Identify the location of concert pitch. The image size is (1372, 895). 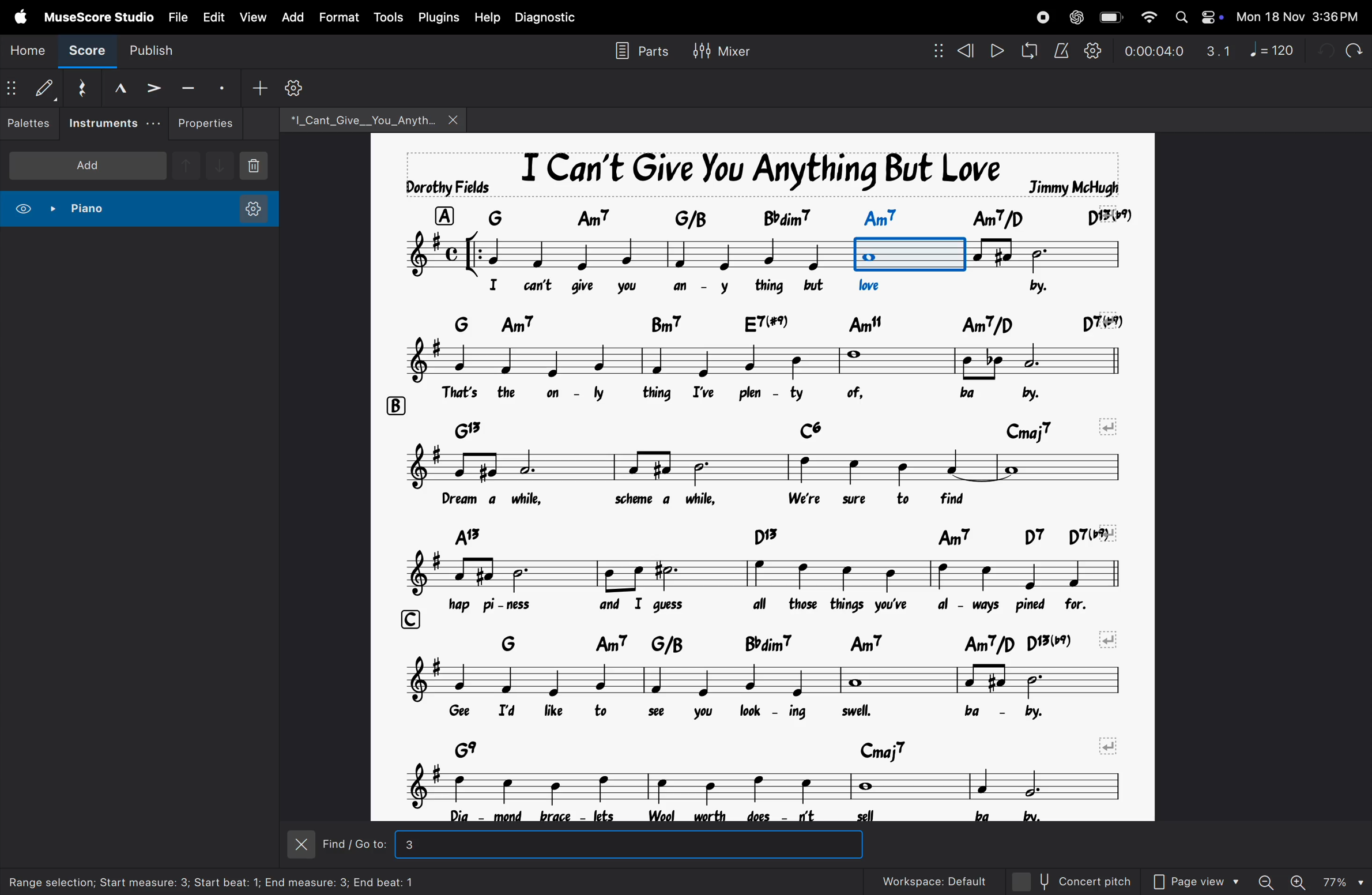
(1069, 881).